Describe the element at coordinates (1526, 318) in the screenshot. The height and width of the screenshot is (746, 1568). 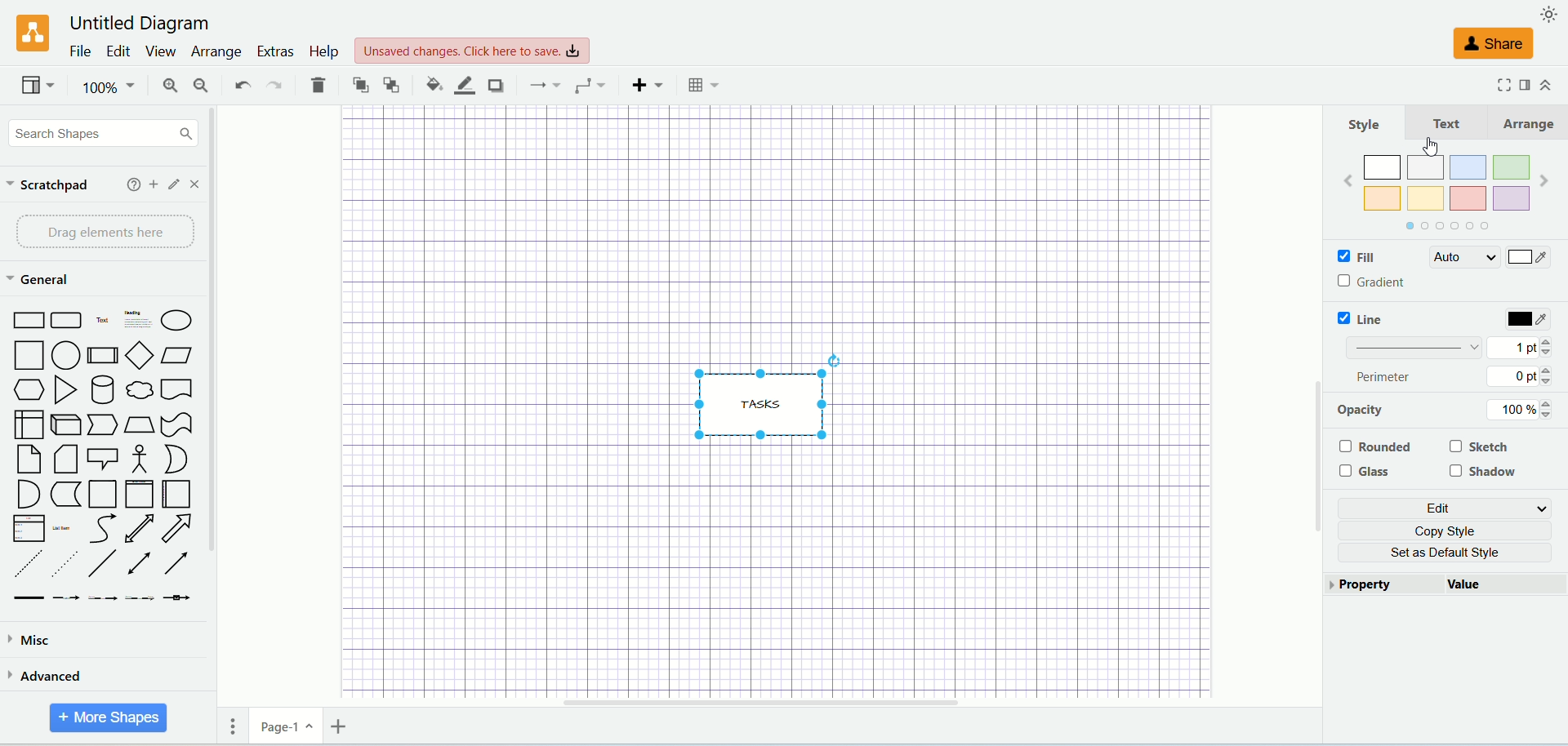
I see `color` at that location.